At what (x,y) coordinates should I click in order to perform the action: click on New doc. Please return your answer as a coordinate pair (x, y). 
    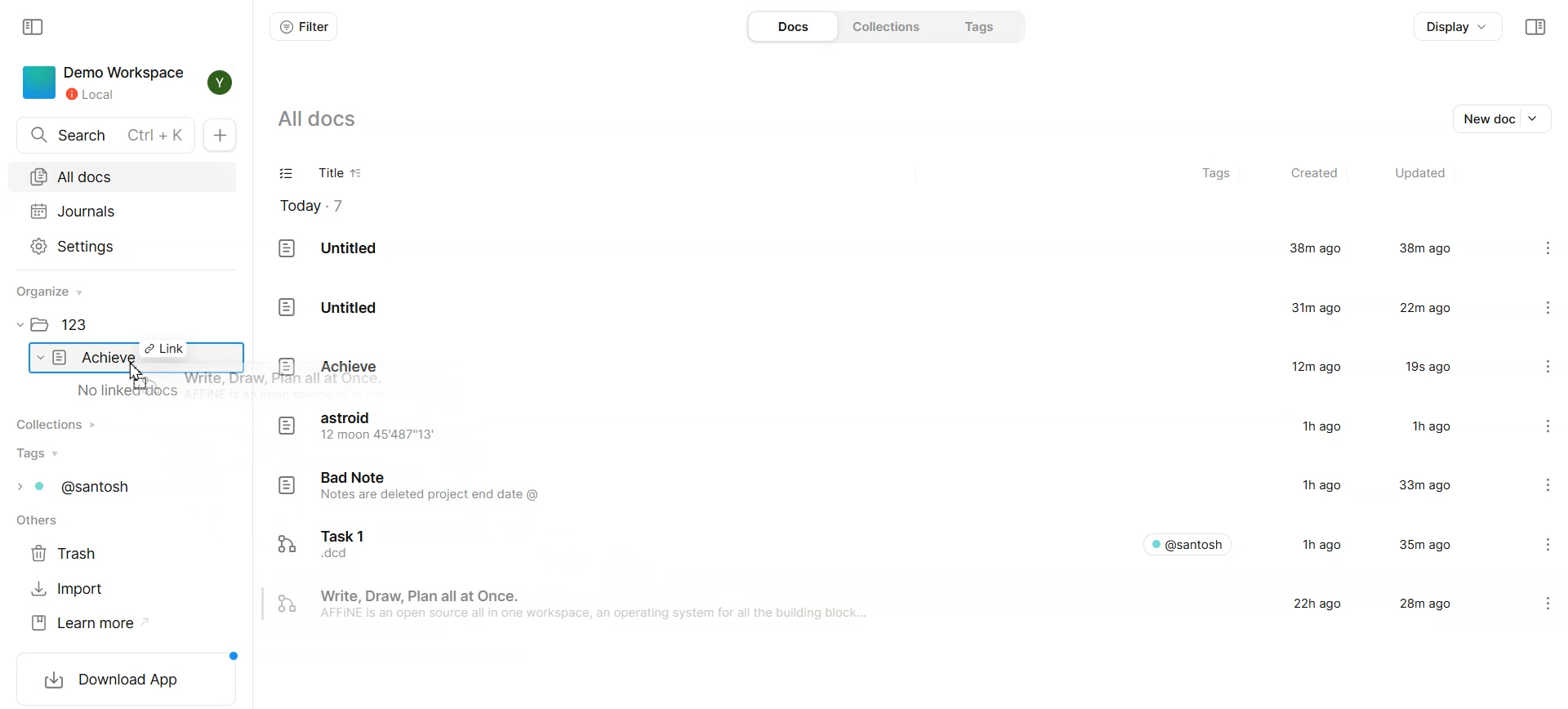
    Looking at the image, I should click on (1505, 117).